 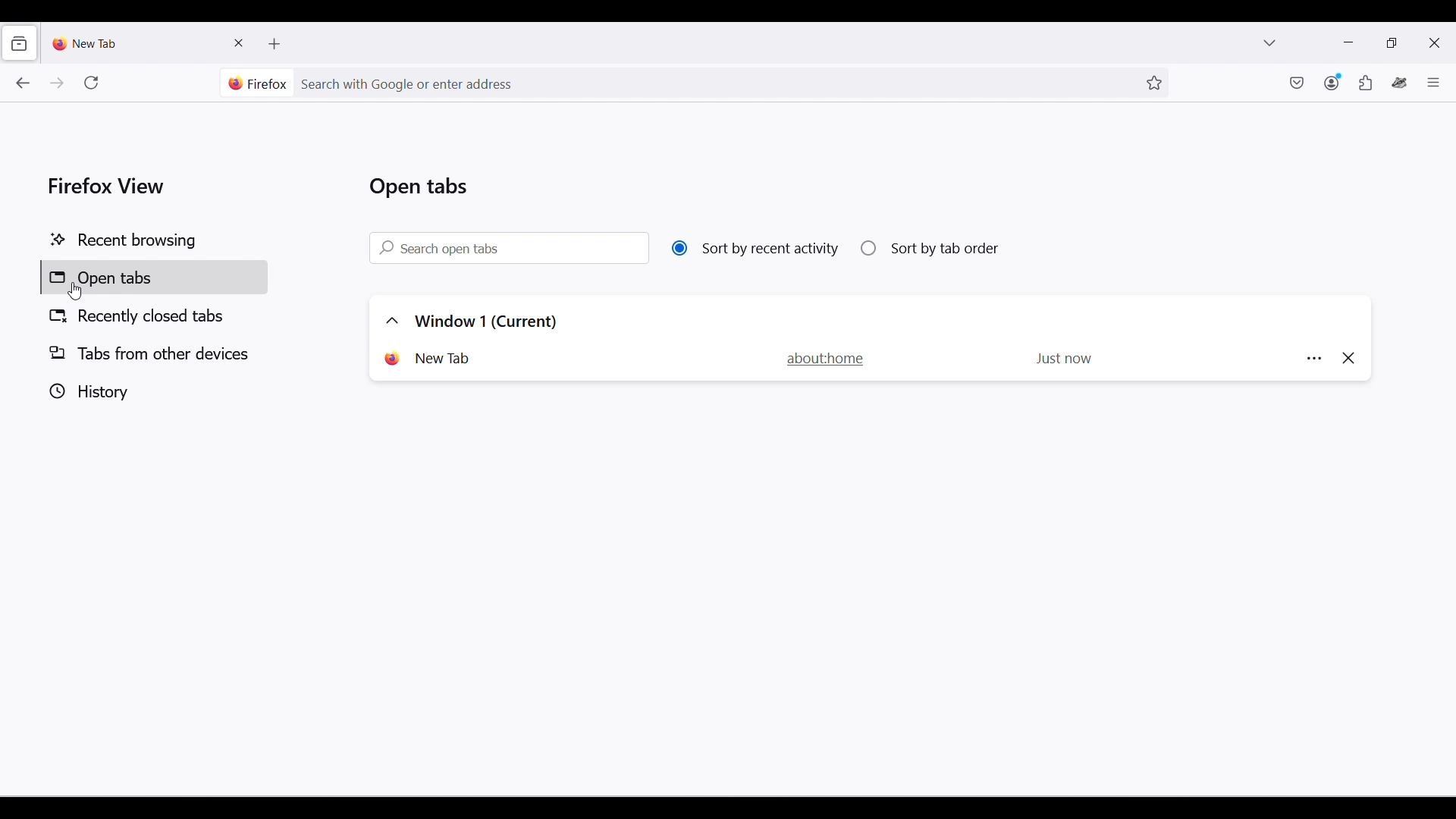 I want to click on Section title - Window 1 (Current), so click(x=487, y=322).